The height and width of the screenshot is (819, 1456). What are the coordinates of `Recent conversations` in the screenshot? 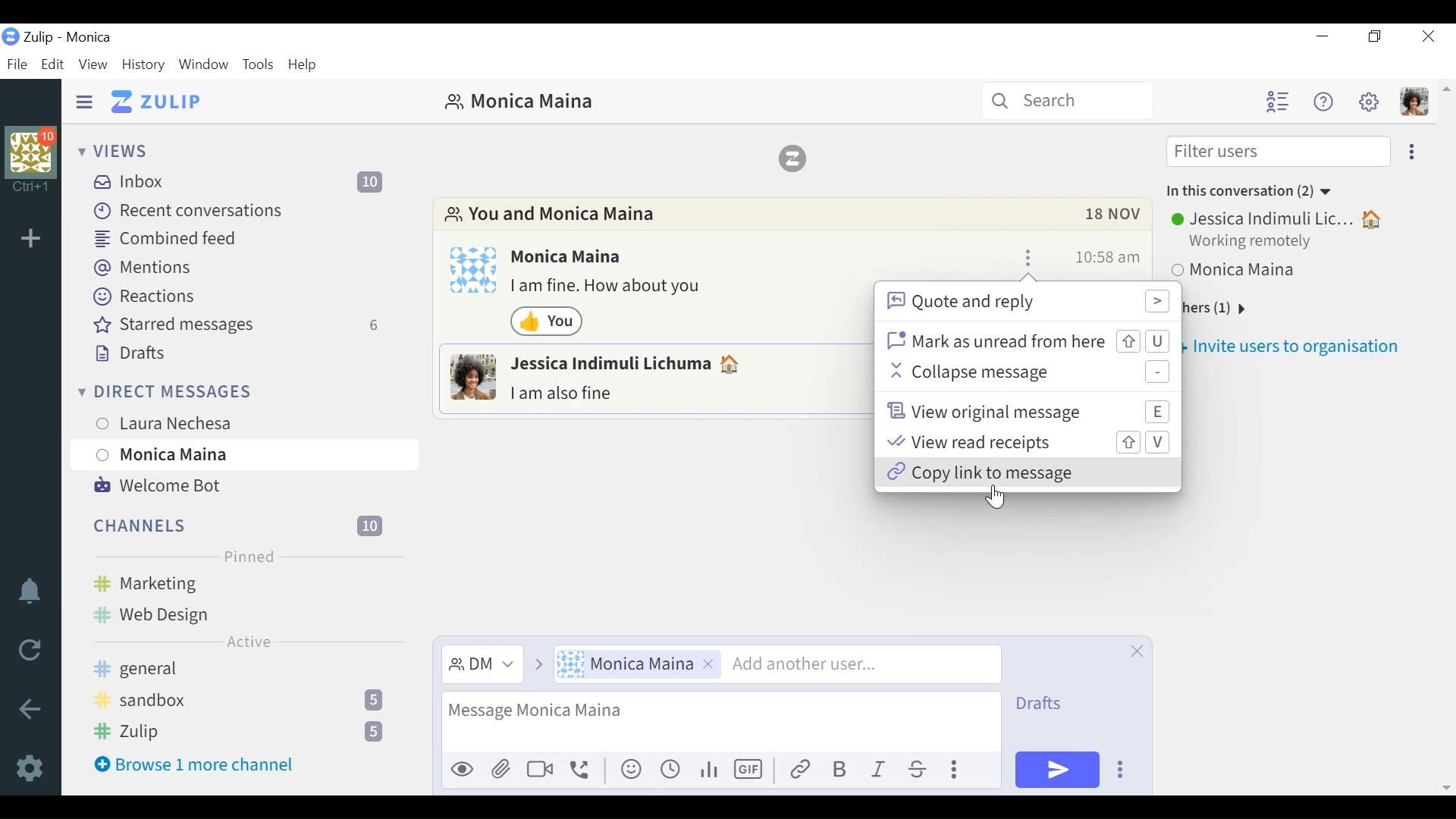 It's located at (190, 209).